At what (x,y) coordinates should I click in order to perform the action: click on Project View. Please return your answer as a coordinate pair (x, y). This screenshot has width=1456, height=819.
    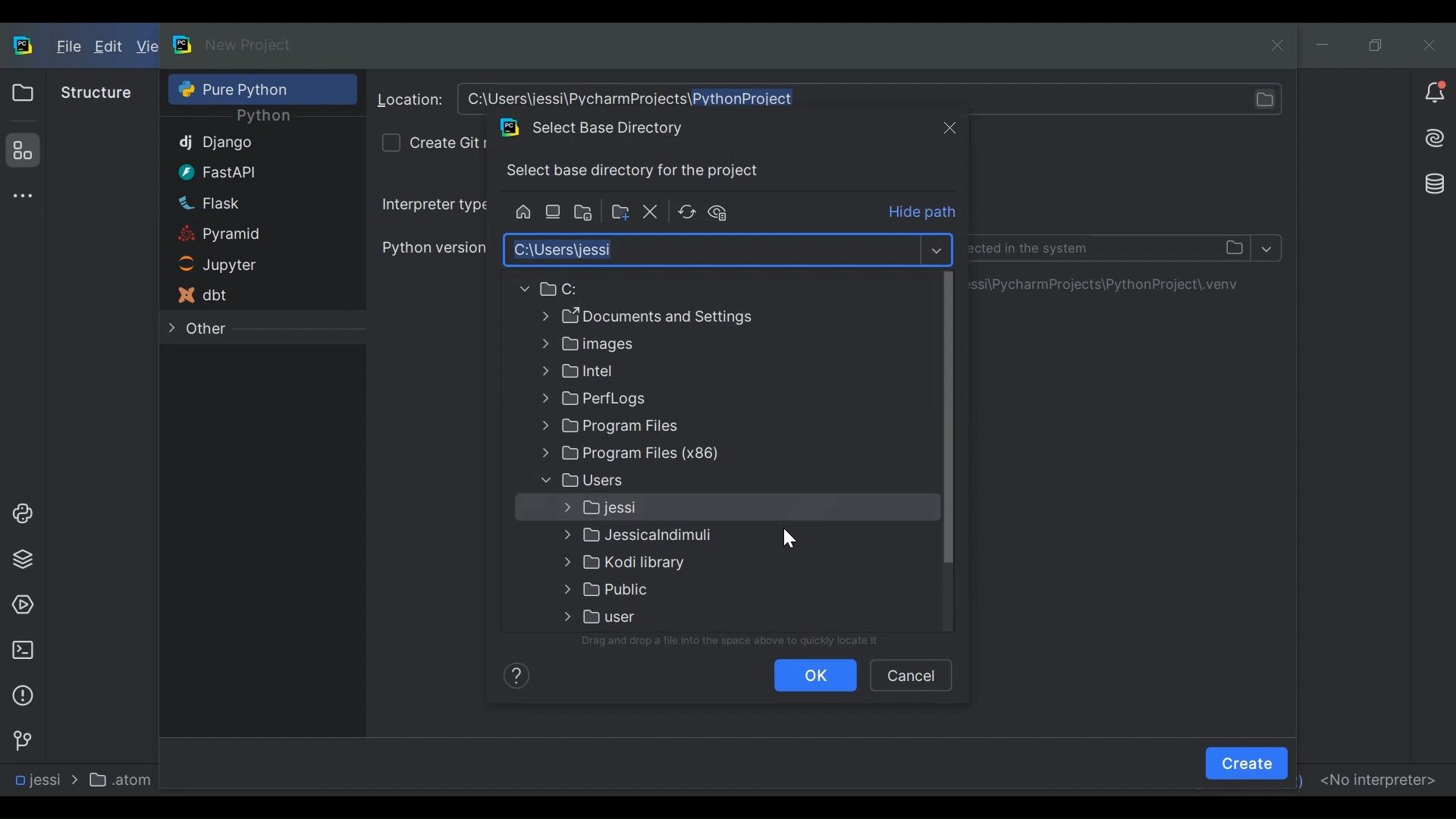
    Looking at the image, I should click on (22, 93).